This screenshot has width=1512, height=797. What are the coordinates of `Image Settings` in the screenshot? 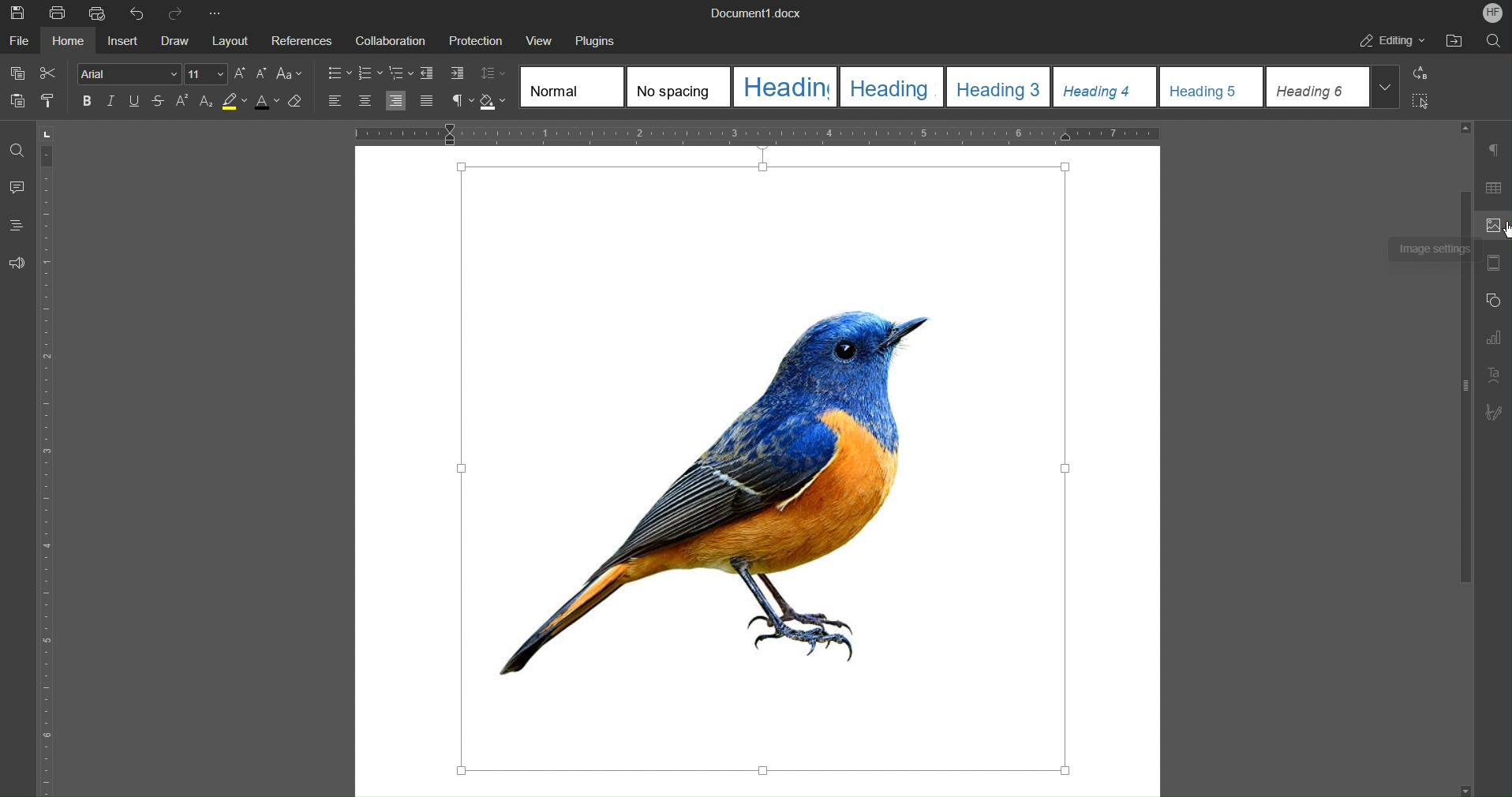 It's located at (1493, 226).